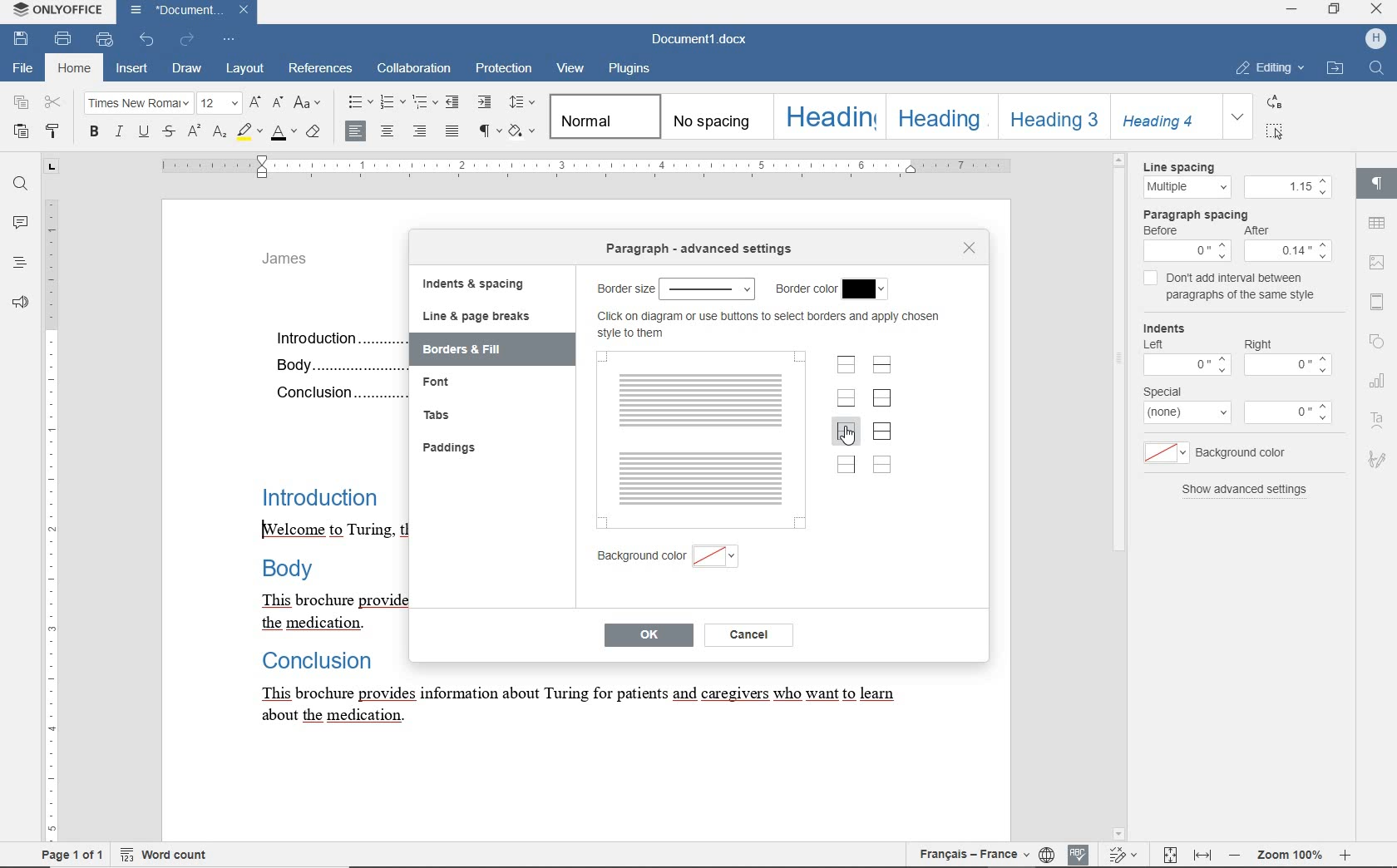 The image size is (1397, 868). What do you see at coordinates (1288, 187) in the screenshot?
I see `1.15` at bounding box center [1288, 187].